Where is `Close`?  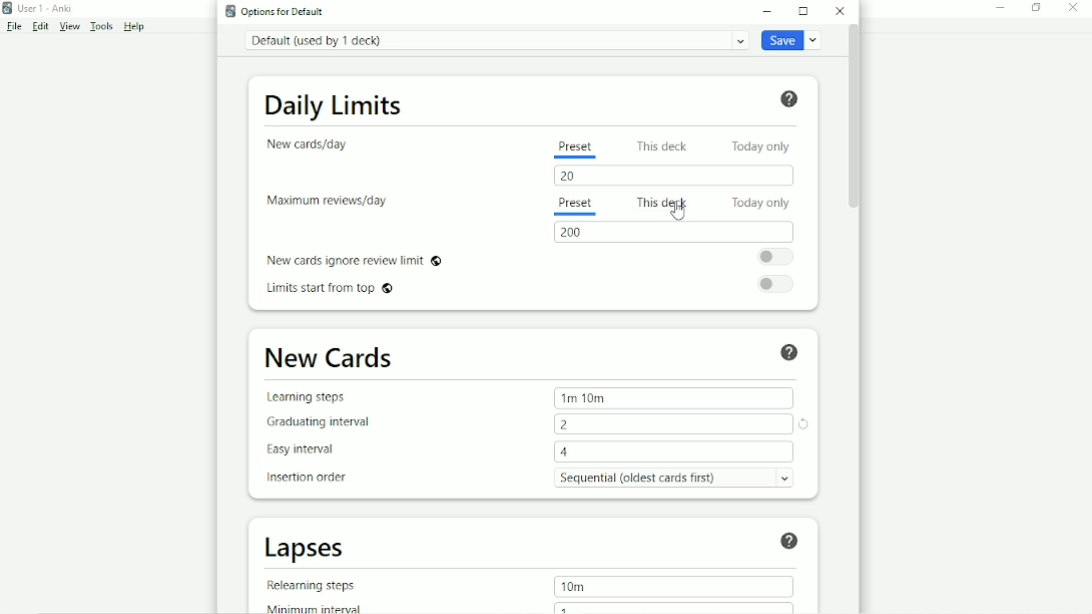
Close is located at coordinates (1073, 8).